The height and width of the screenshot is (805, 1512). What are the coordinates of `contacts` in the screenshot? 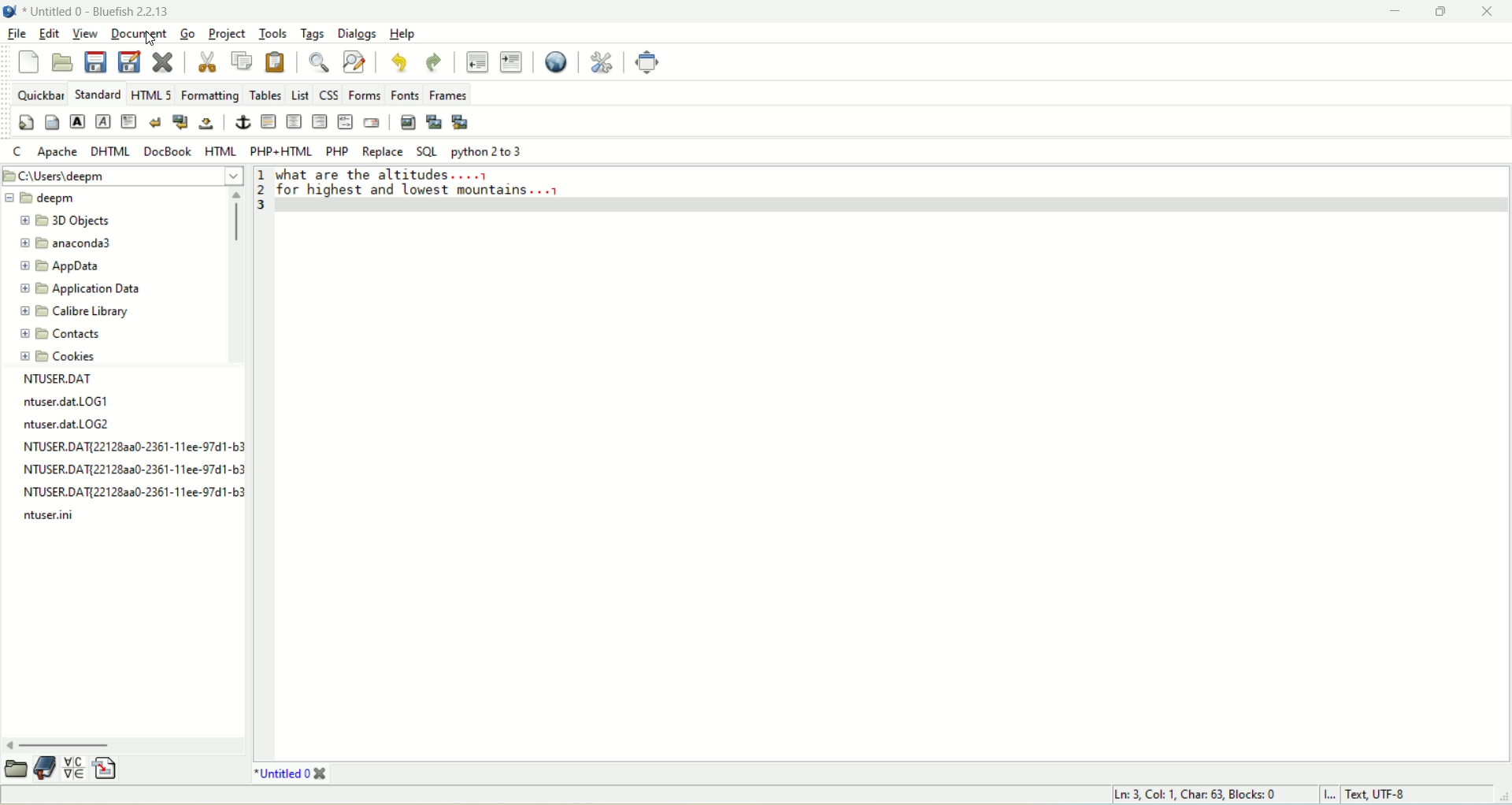 It's located at (61, 337).